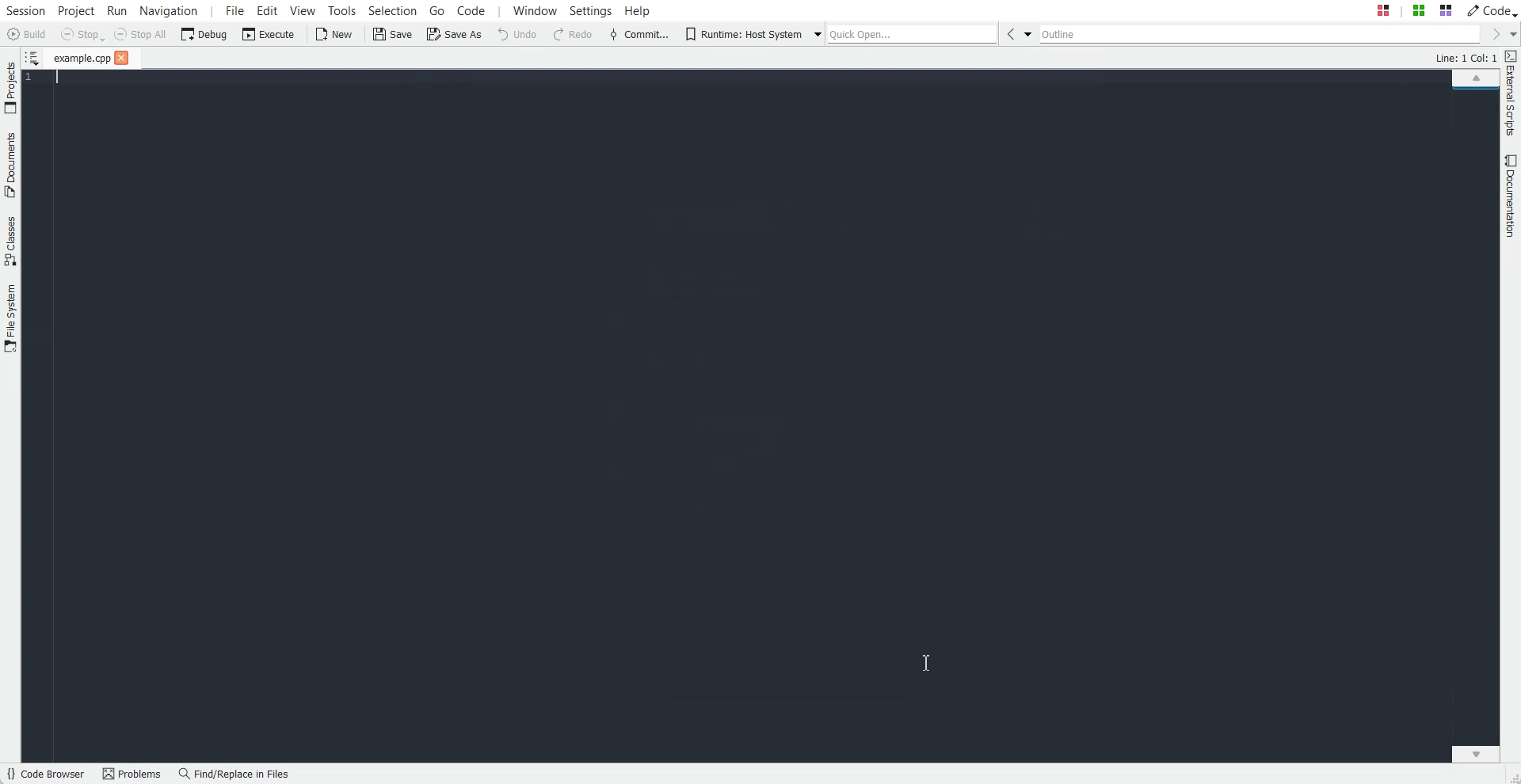  I want to click on Text Cursor, so click(55, 82).